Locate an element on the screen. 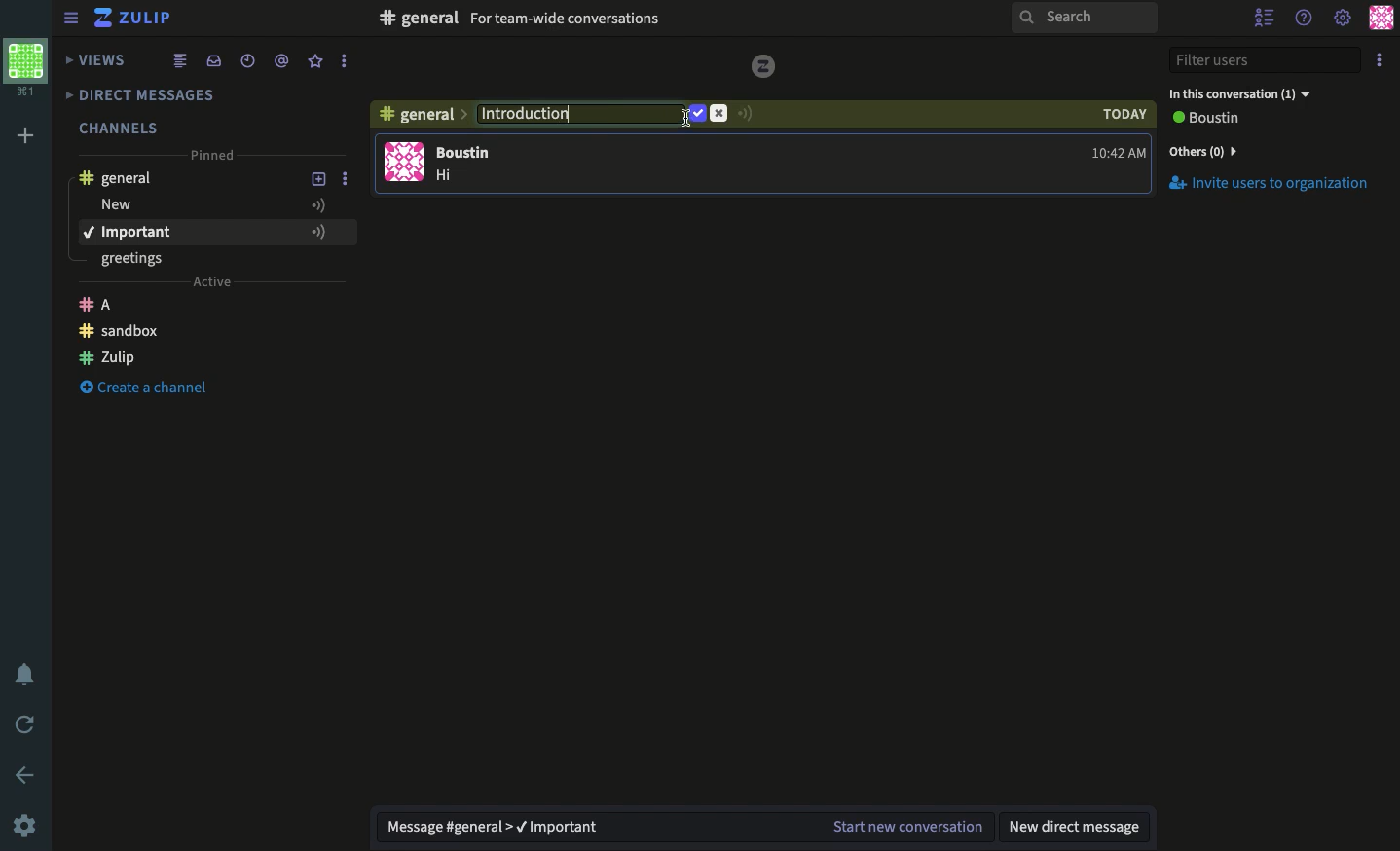 Image resolution: width=1400 pixels, height=851 pixels. Option  is located at coordinates (1378, 60).